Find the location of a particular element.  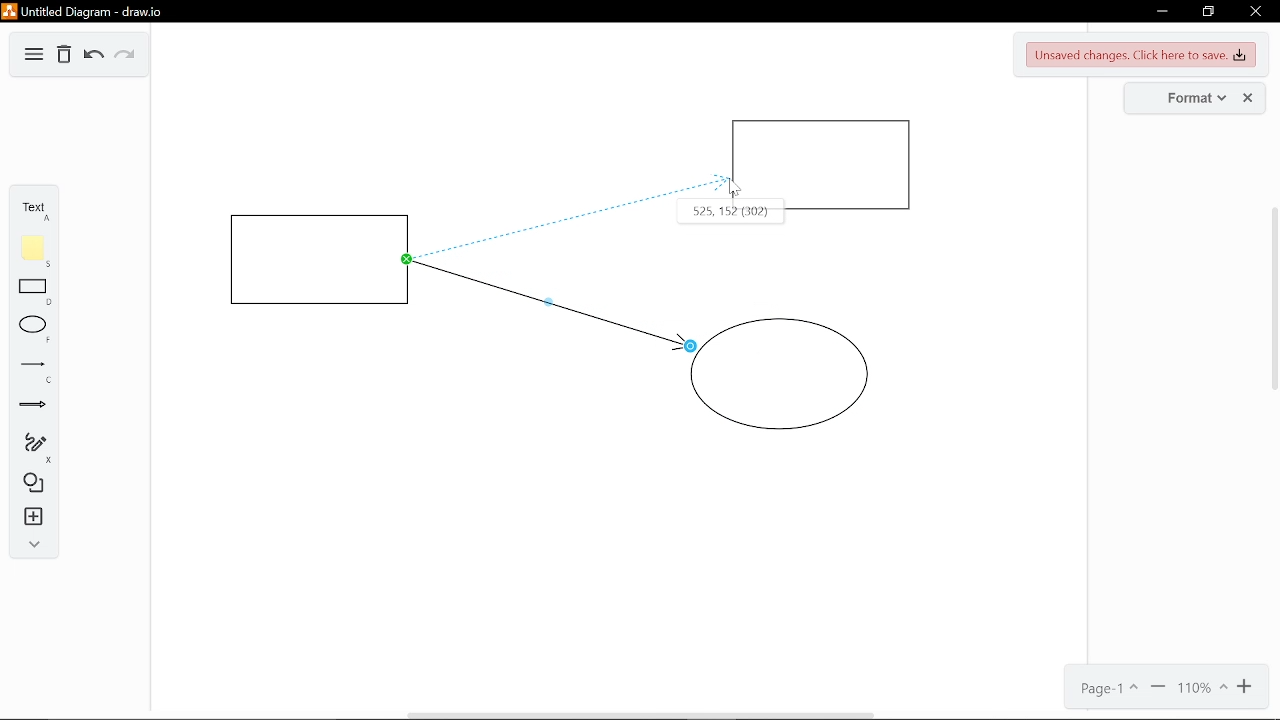

Ellipse is located at coordinates (34, 330).